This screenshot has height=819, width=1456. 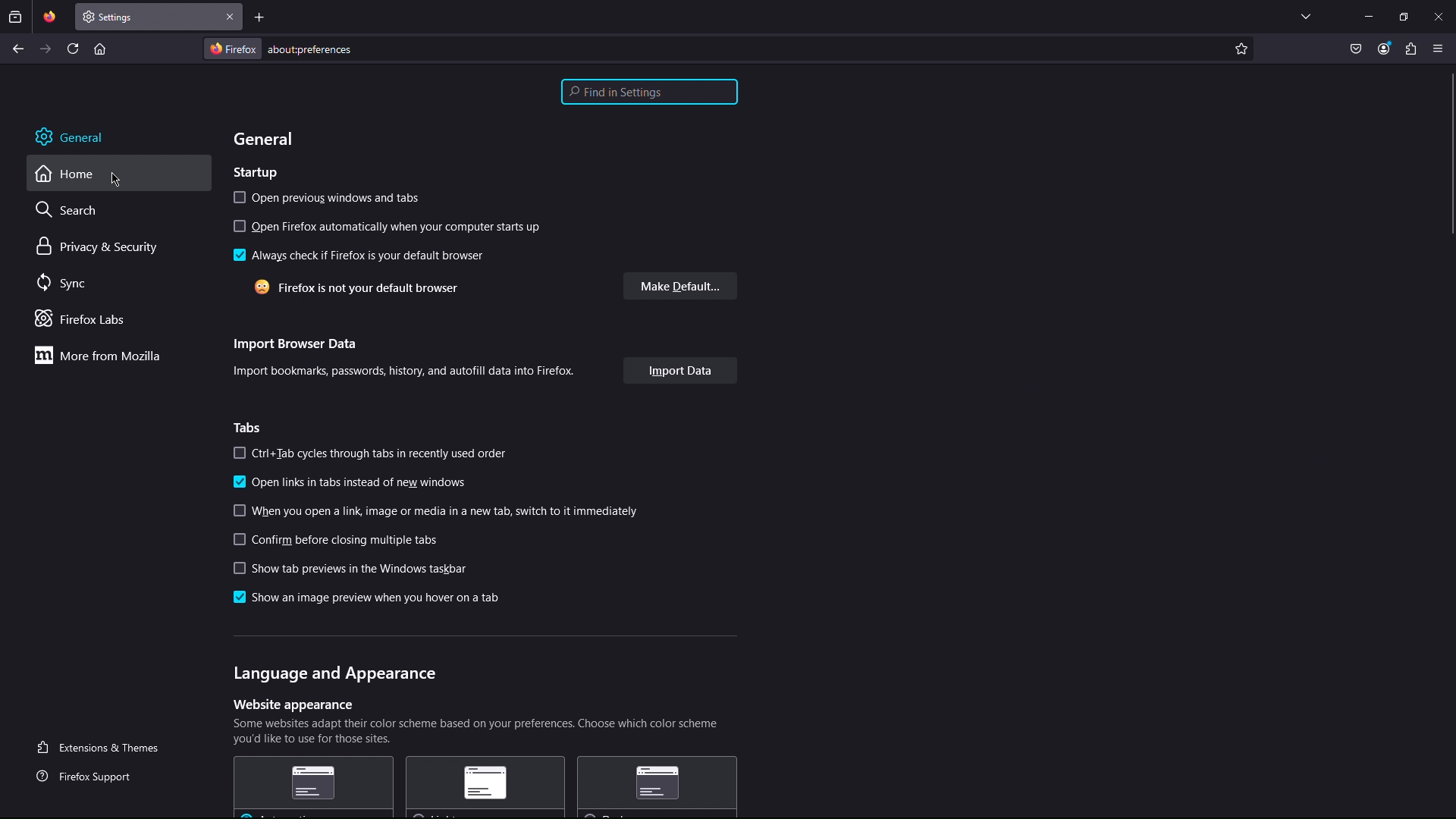 What do you see at coordinates (297, 344) in the screenshot?
I see `Import Browser Data` at bounding box center [297, 344].